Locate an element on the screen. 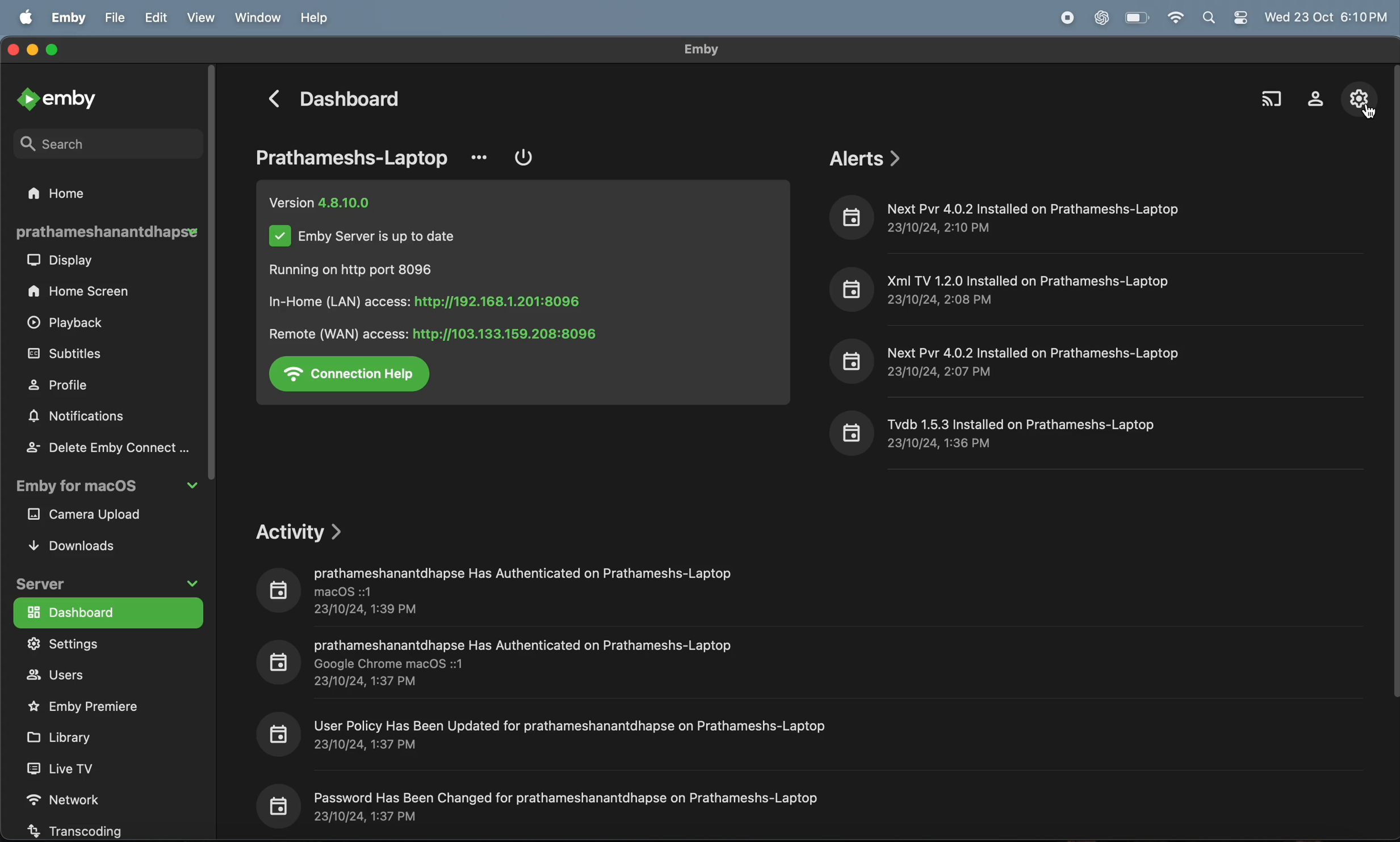 This screenshot has height=842, width=1400. prathamesh laptop is located at coordinates (107, 233).